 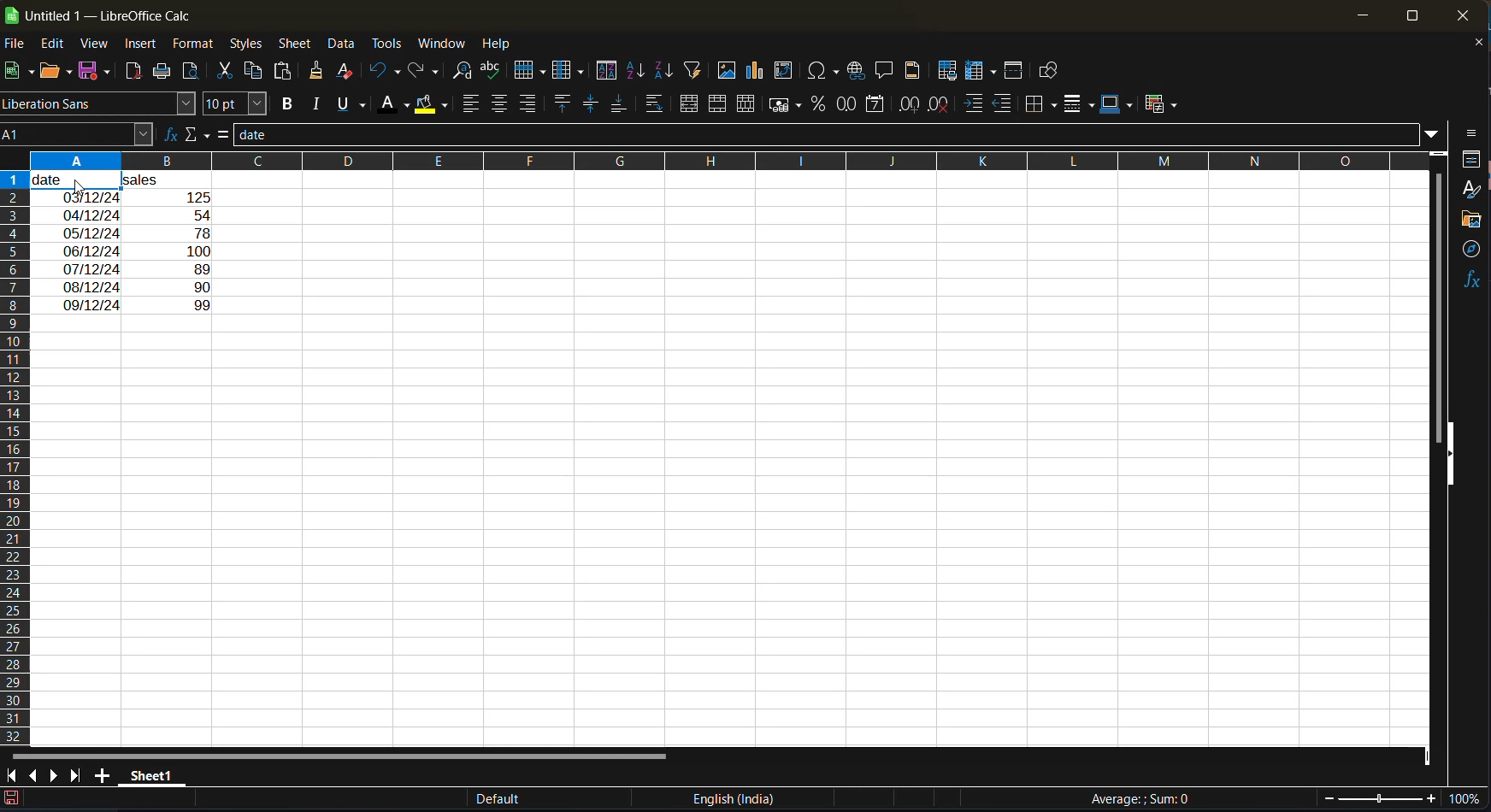 What do you see at coordinates (783, 71) in the screenshot?
I see `insert or edit pivot table` at bounding box center [783, 71].